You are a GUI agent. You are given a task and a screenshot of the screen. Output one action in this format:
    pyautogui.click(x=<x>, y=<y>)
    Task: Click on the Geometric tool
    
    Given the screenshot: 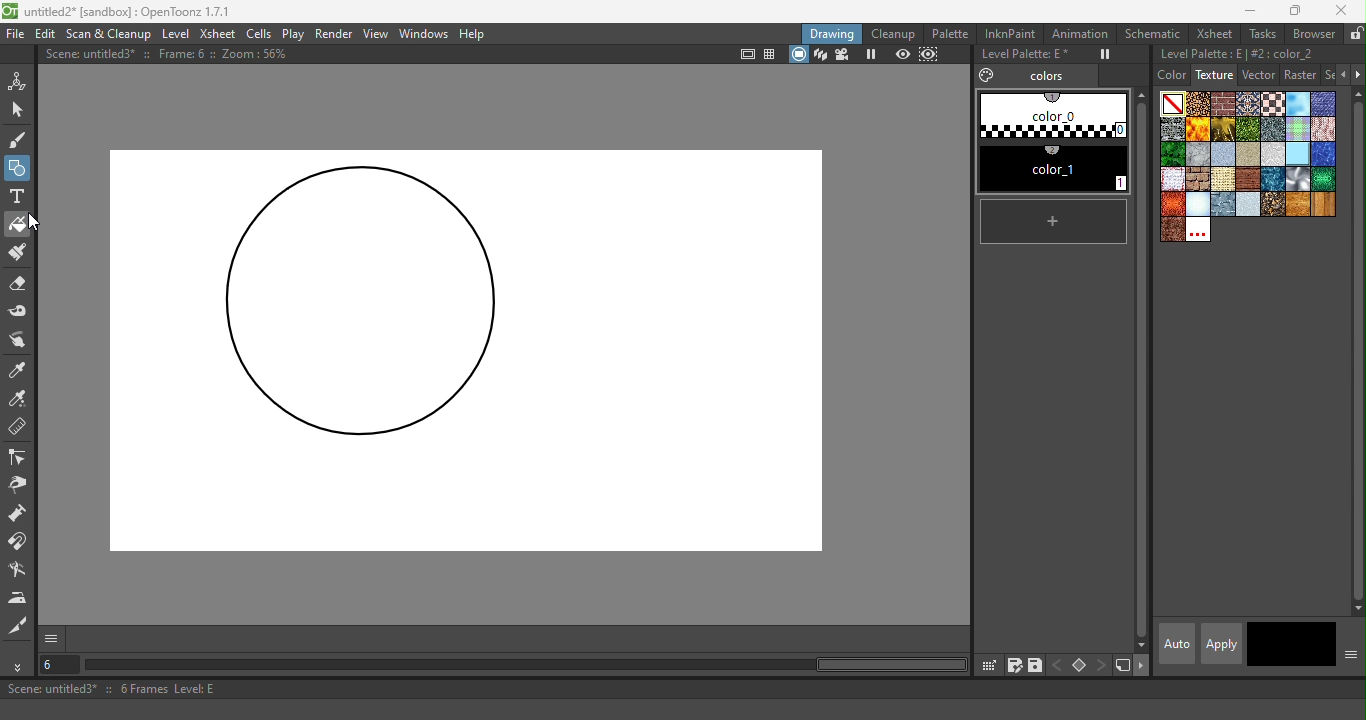 What is the action you would take?
    pyautogui.click(x=19, y=168)
    